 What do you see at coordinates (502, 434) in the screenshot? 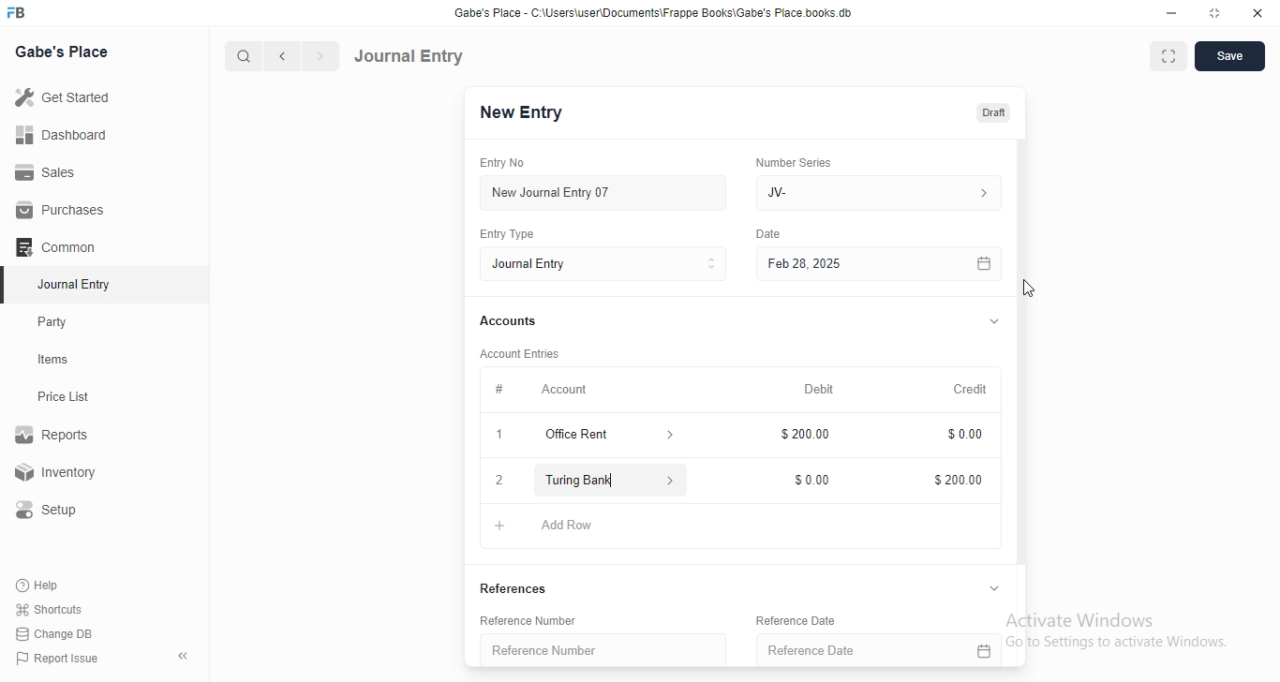
I see `1` at bounding box center [502, 434].